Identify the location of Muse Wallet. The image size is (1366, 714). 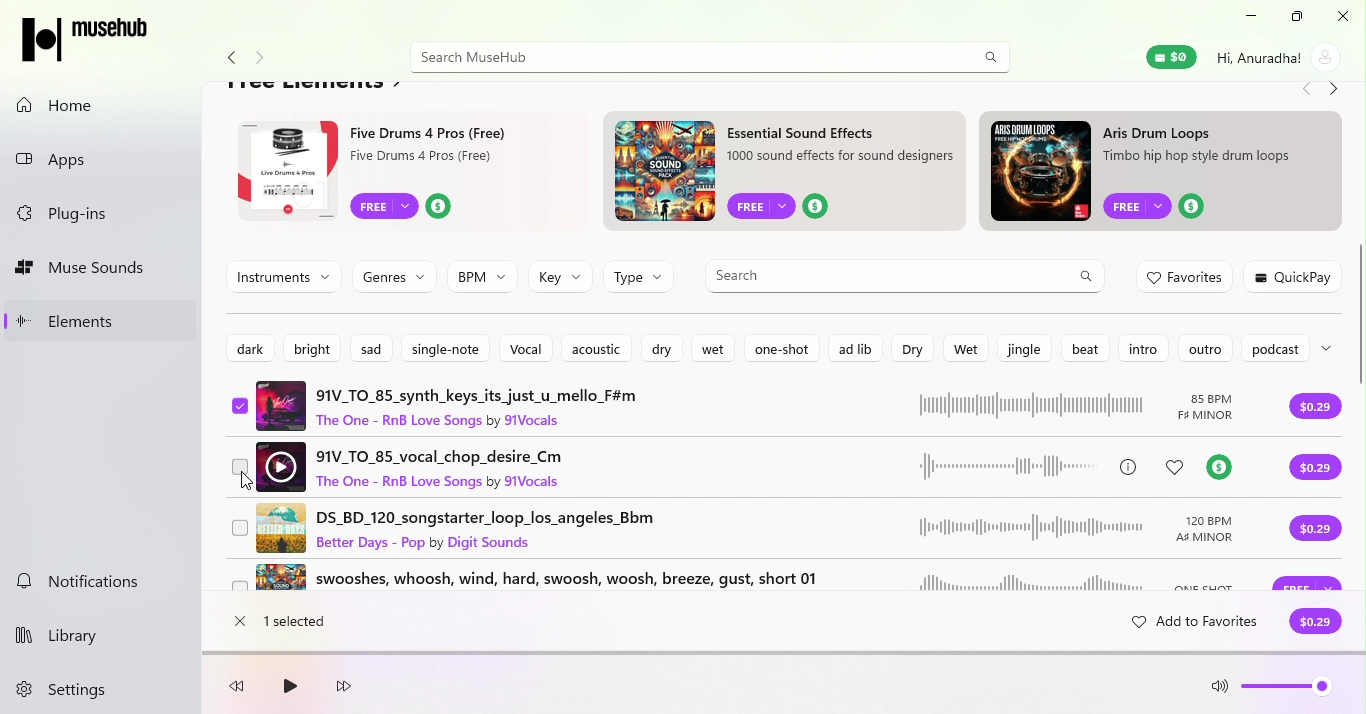
(1170, 57).